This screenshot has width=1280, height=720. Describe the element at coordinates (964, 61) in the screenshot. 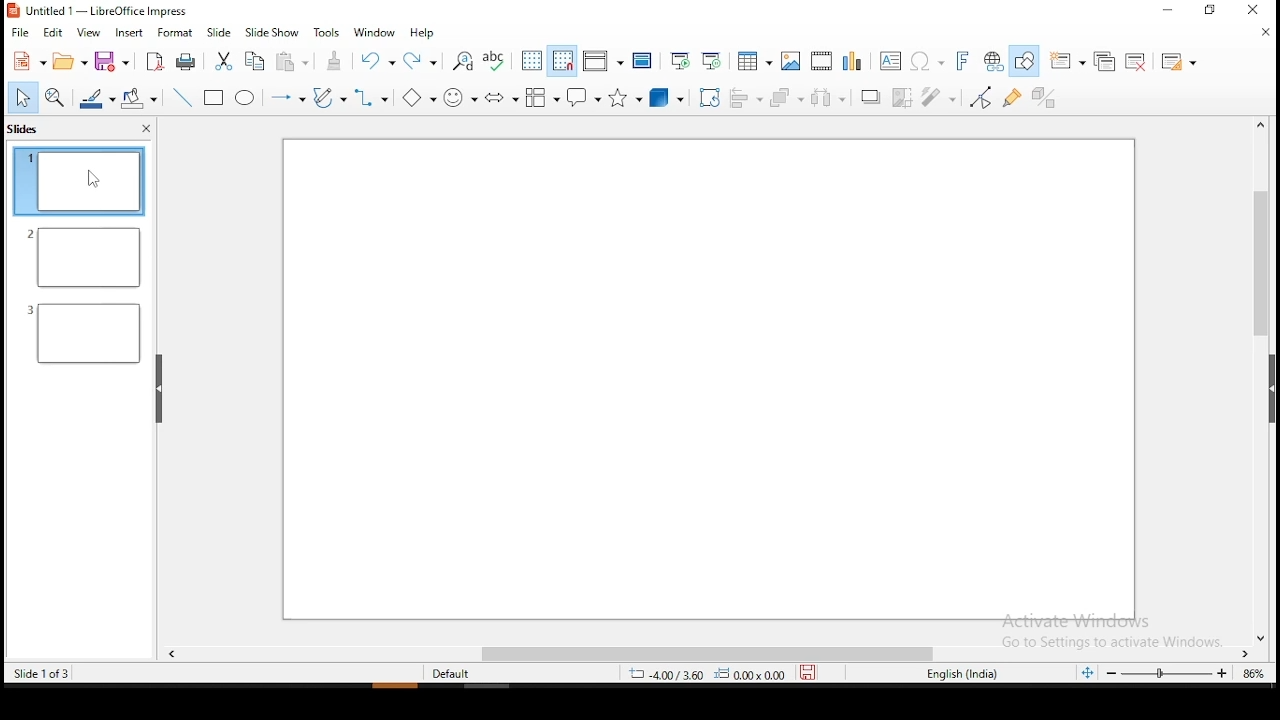

I see `insert fontwork text` at that location.